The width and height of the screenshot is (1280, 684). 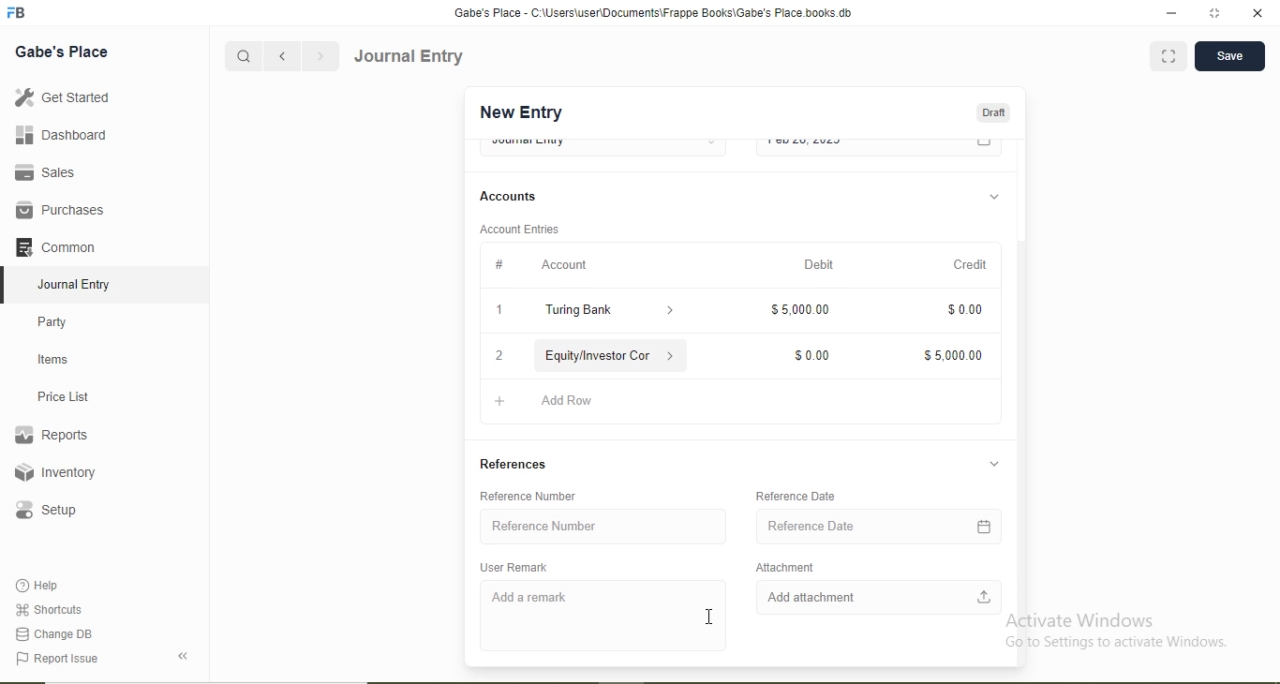 I want to click on Help, so click(x=39, y=585).